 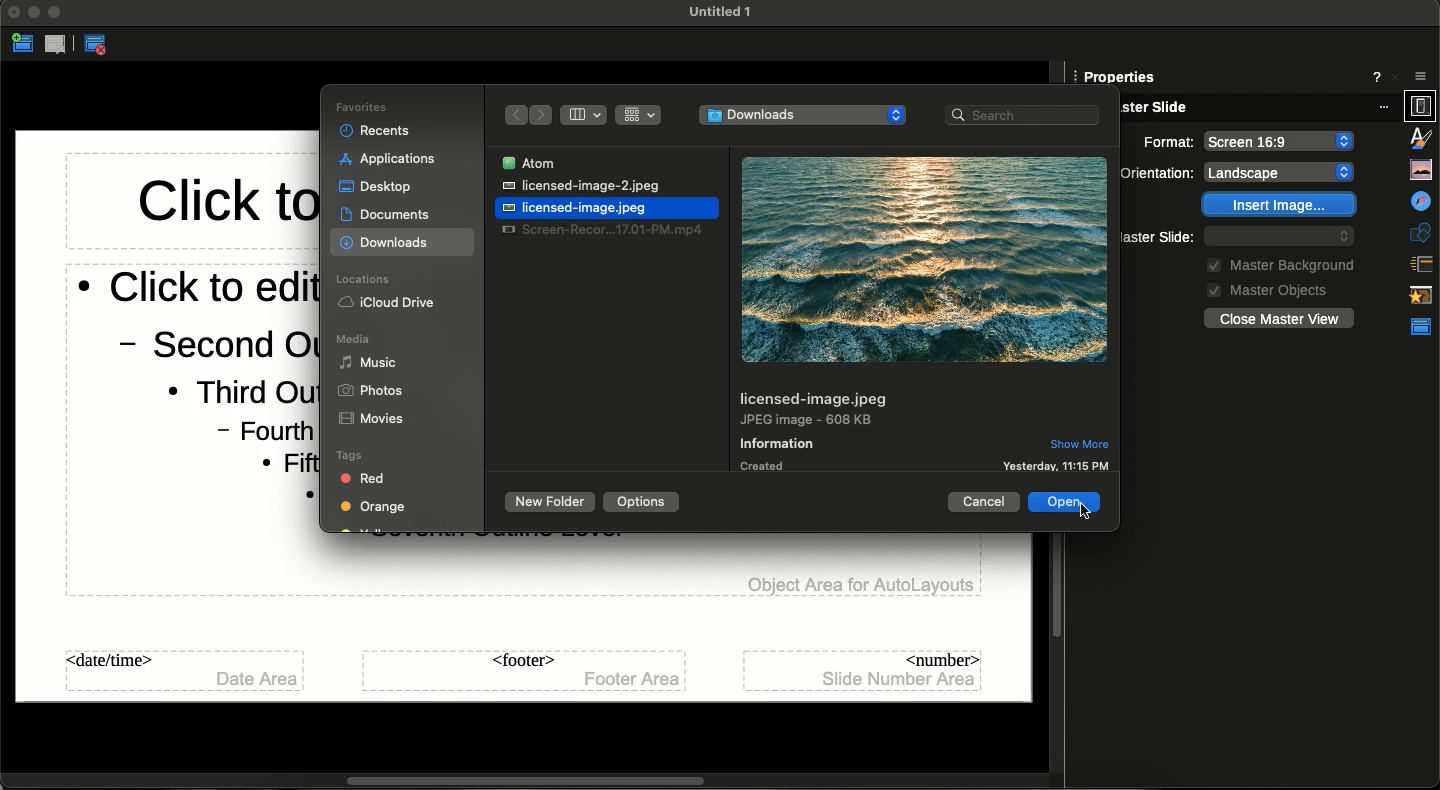 I want to click on Column view, so click(x=580, y=116).